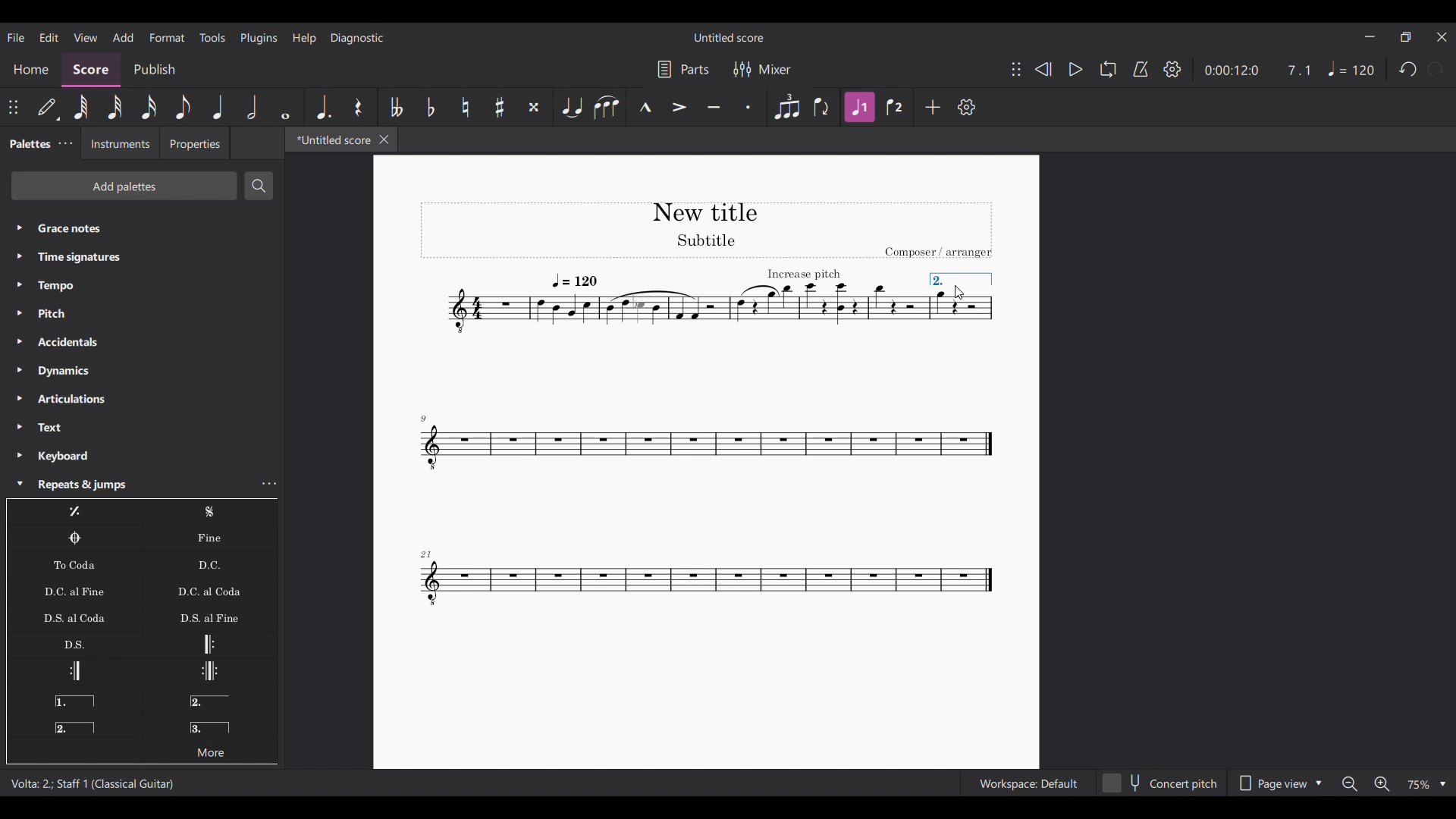  Describe the element at coordinates (285, 107) in the screenshot. I see `Whole note` at that location.